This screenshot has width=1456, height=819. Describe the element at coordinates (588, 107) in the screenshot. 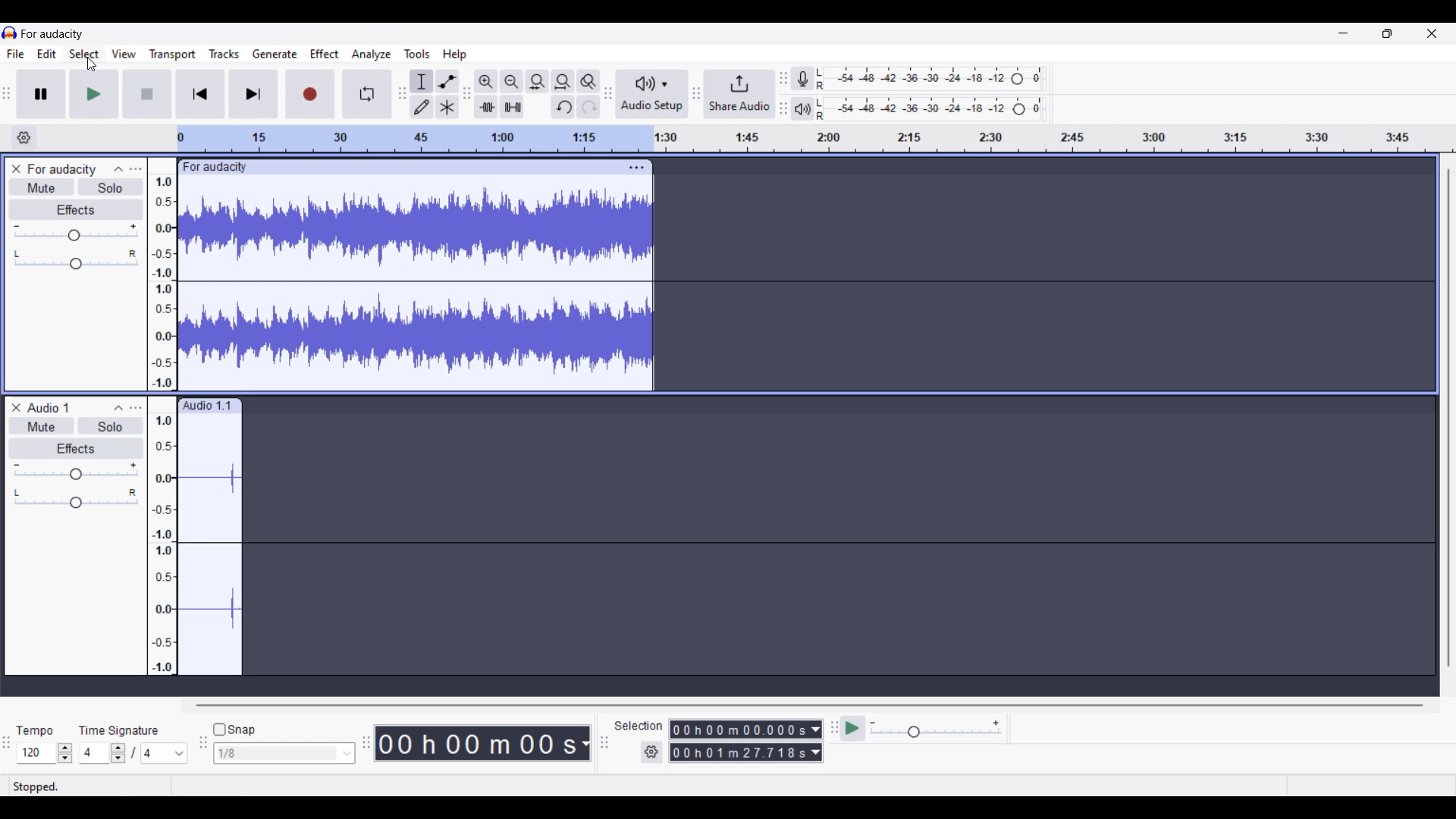

I see `Redo` at that location.